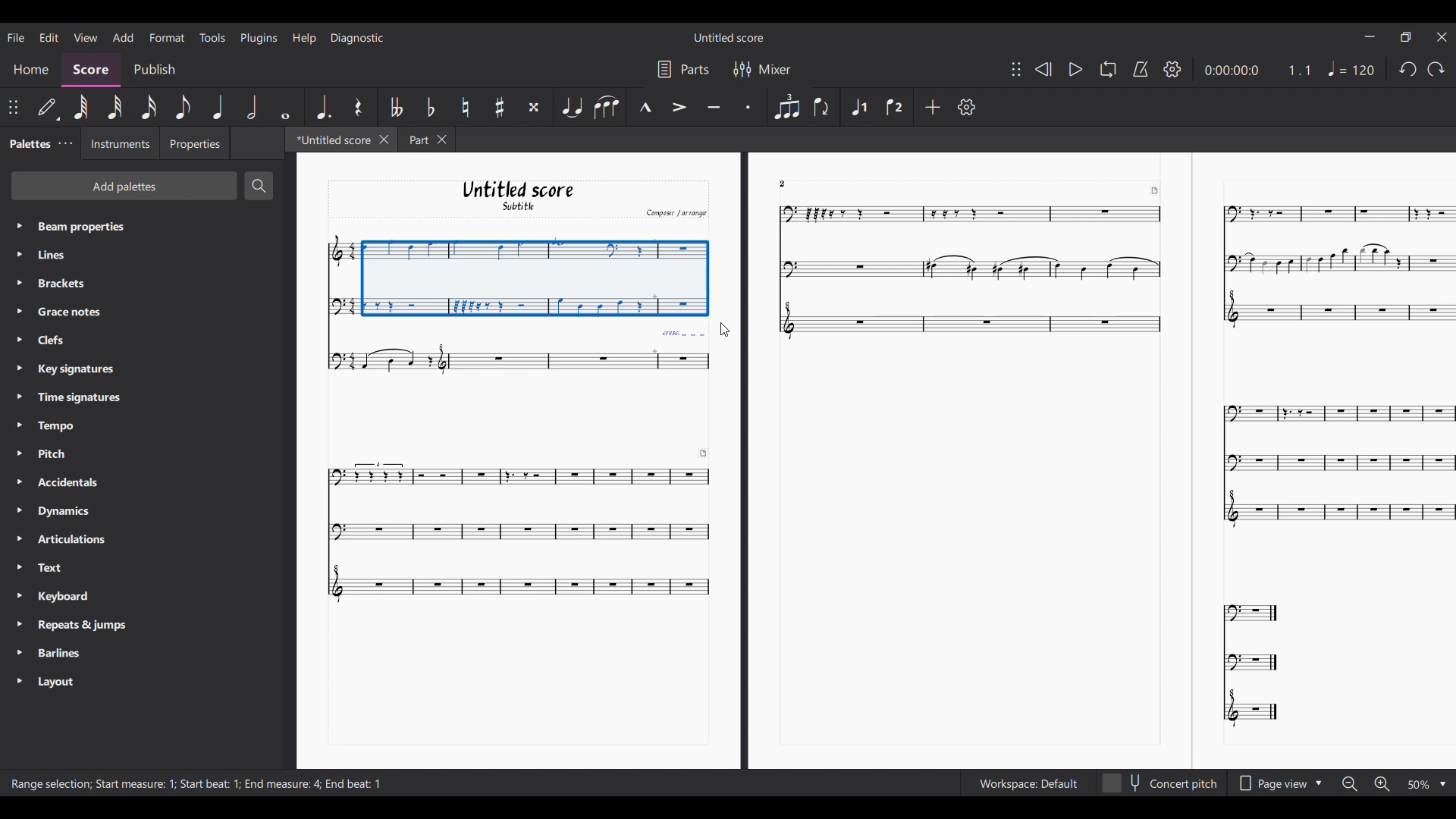  What do you see at coordinates (1250, 613) in the screenshot?
I see `` at bounding box center [1250, 613].